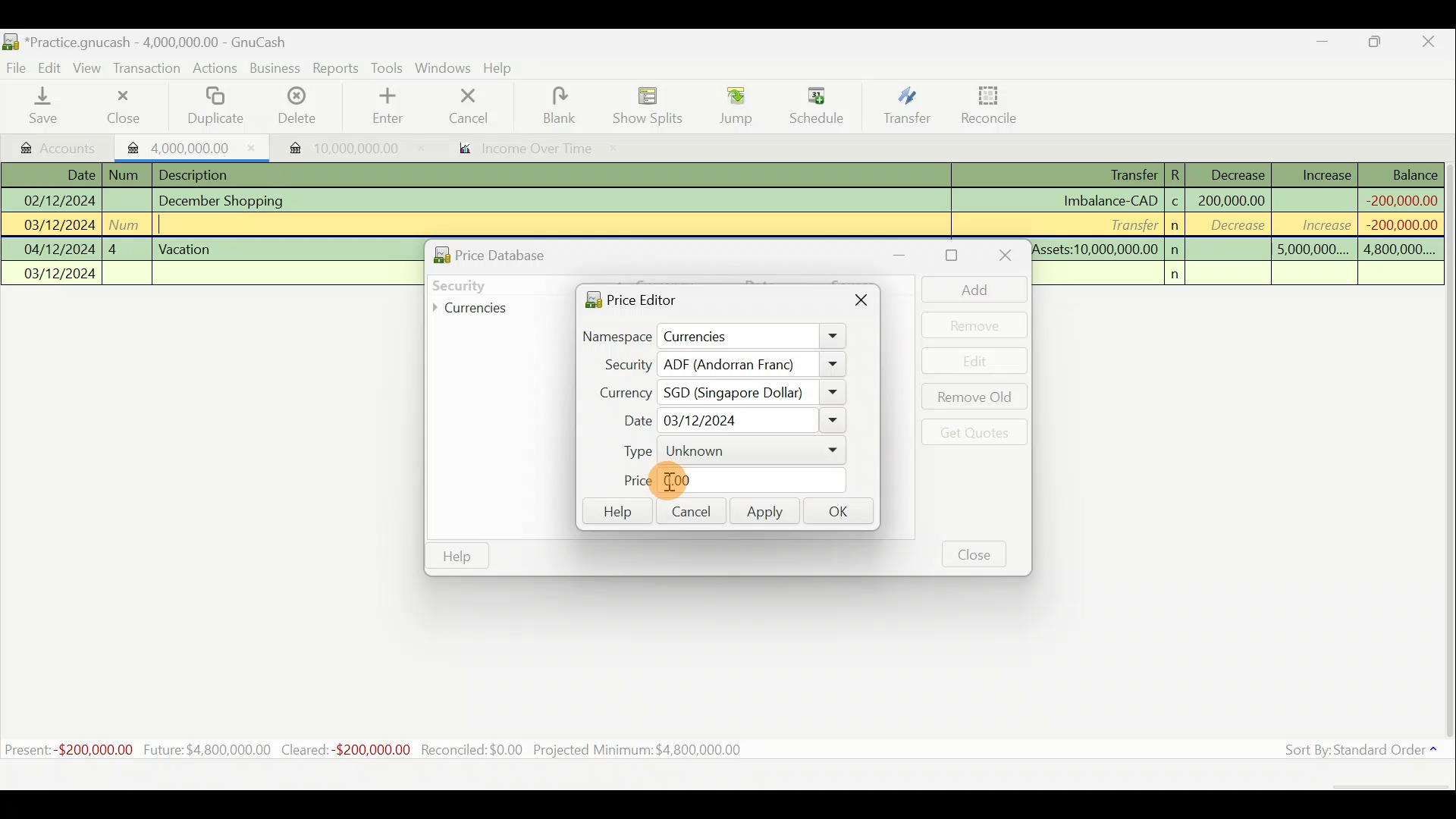 The image size is (1456, 819). I want to click on Delete, so click(298, 106).